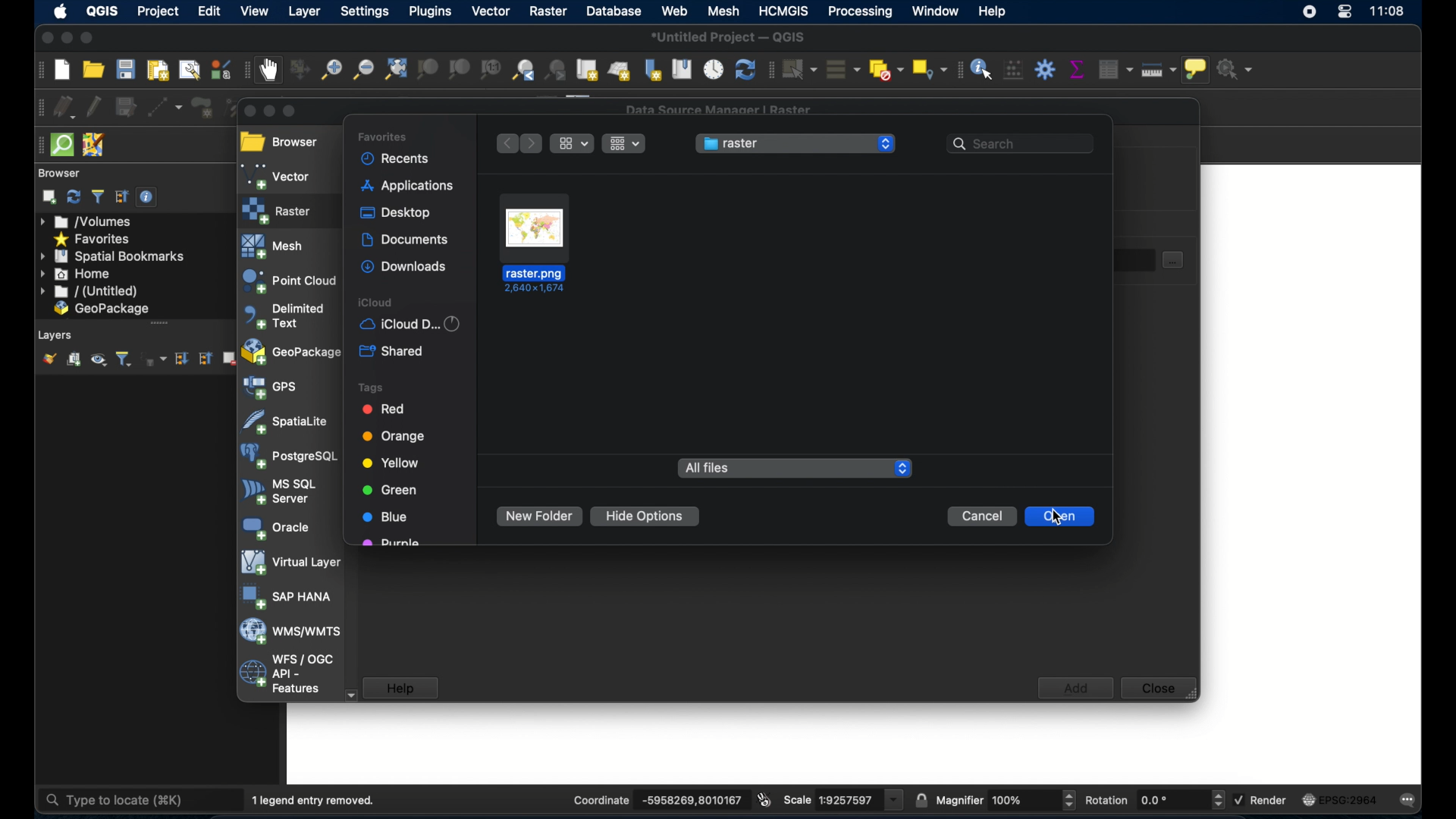 The height and width of the screenshot is (819, 1456). What do you see at coordinates (458, 69) in the screenshot?
I see `zoom to layer` at bounding box center [458, 69].